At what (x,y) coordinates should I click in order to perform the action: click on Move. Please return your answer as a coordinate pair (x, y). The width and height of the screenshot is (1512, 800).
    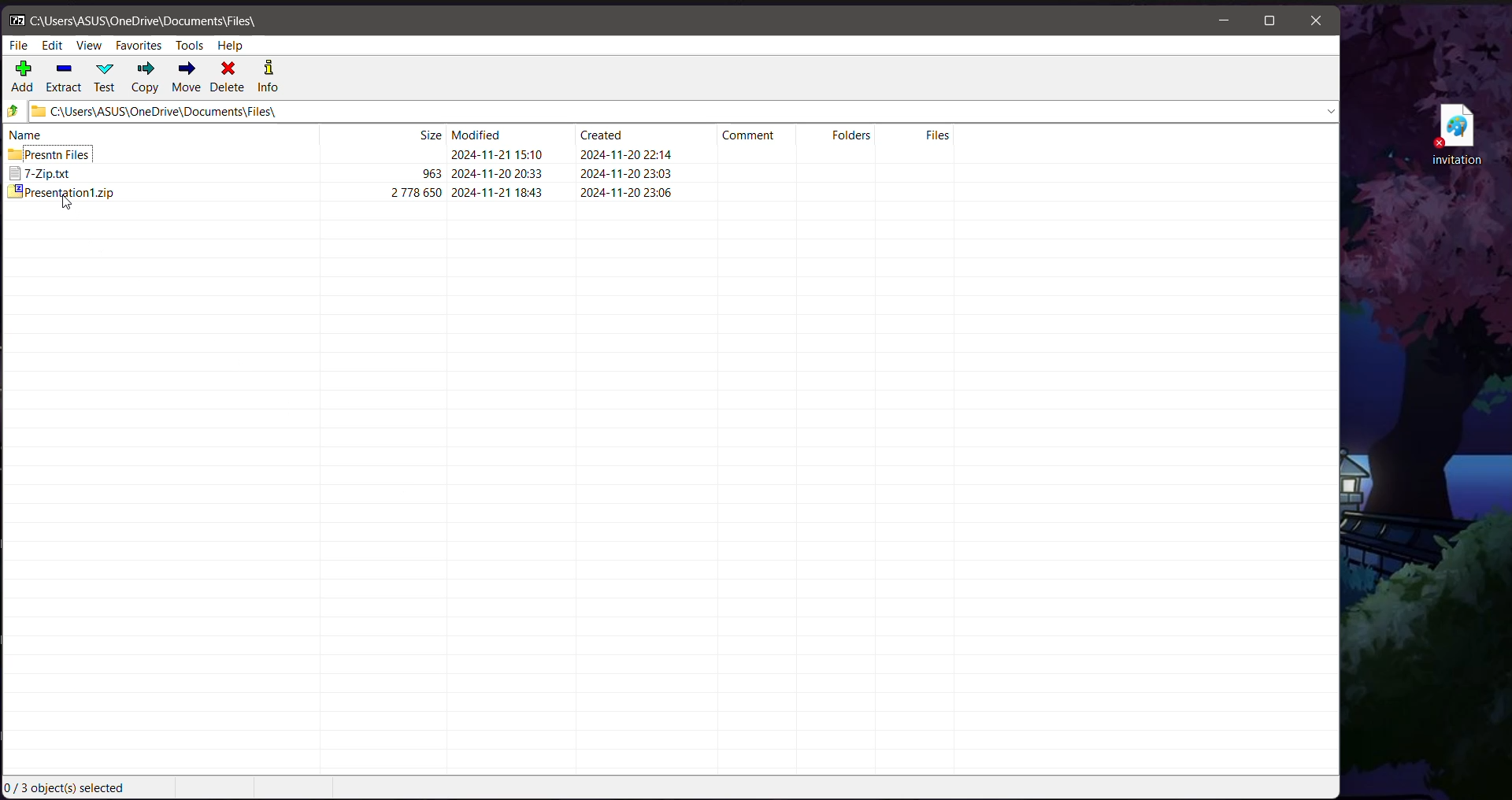
    Looking at the image, I should click on (185, 77).